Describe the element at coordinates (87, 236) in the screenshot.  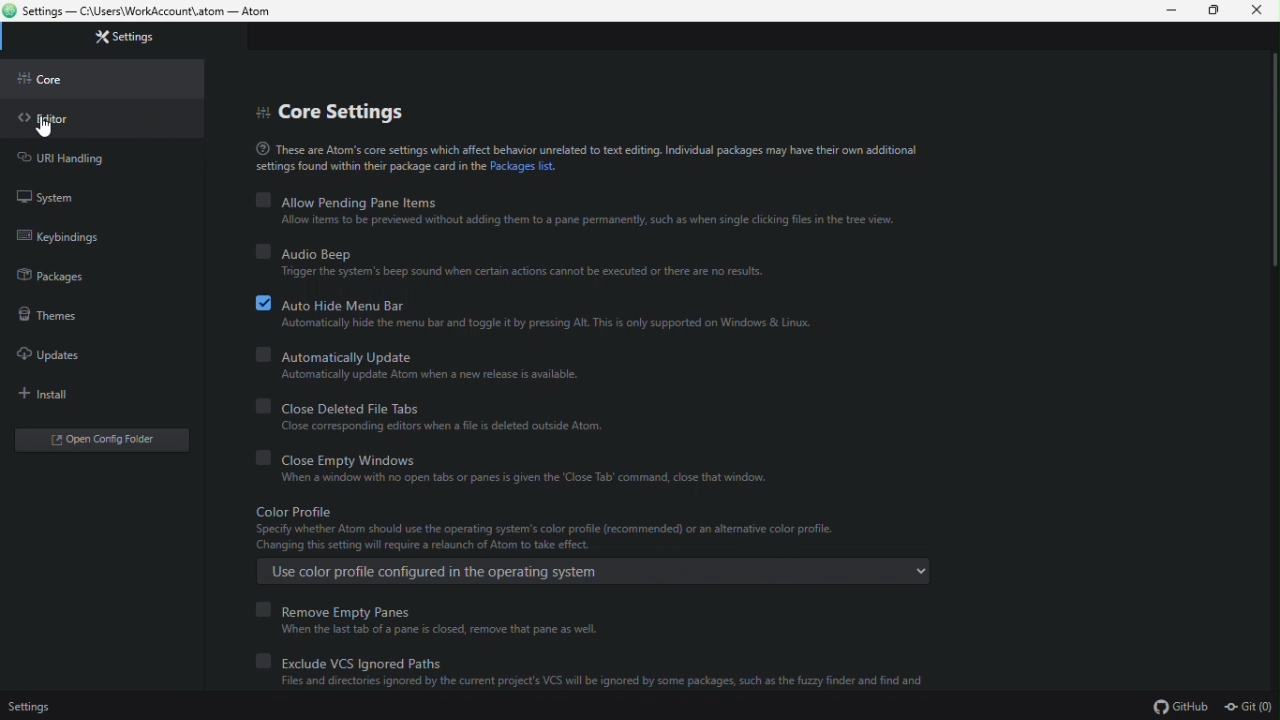
I see `keybindings` at that location.